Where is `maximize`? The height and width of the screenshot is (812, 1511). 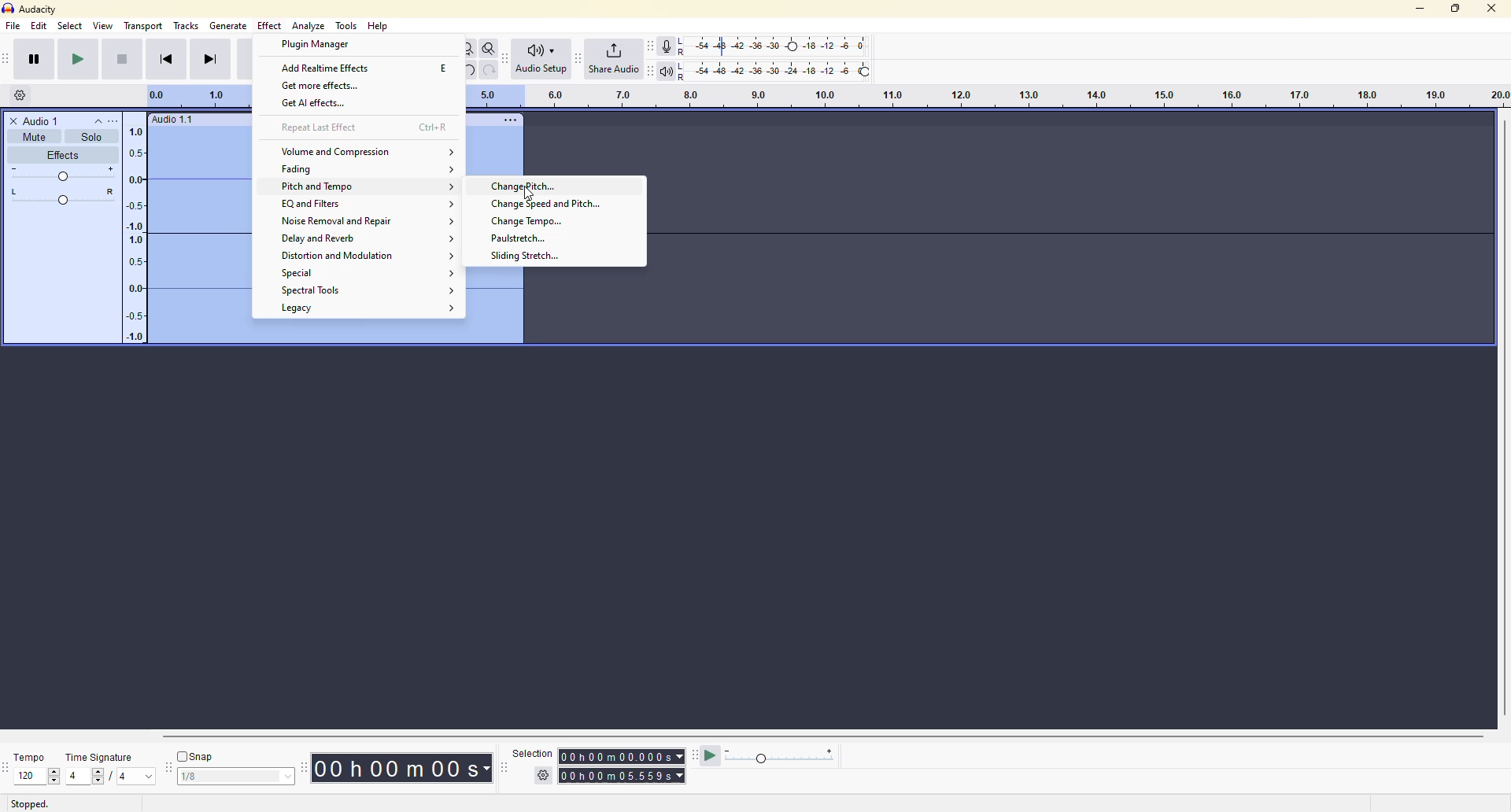 maximize is located at coordinates (1455, 7).